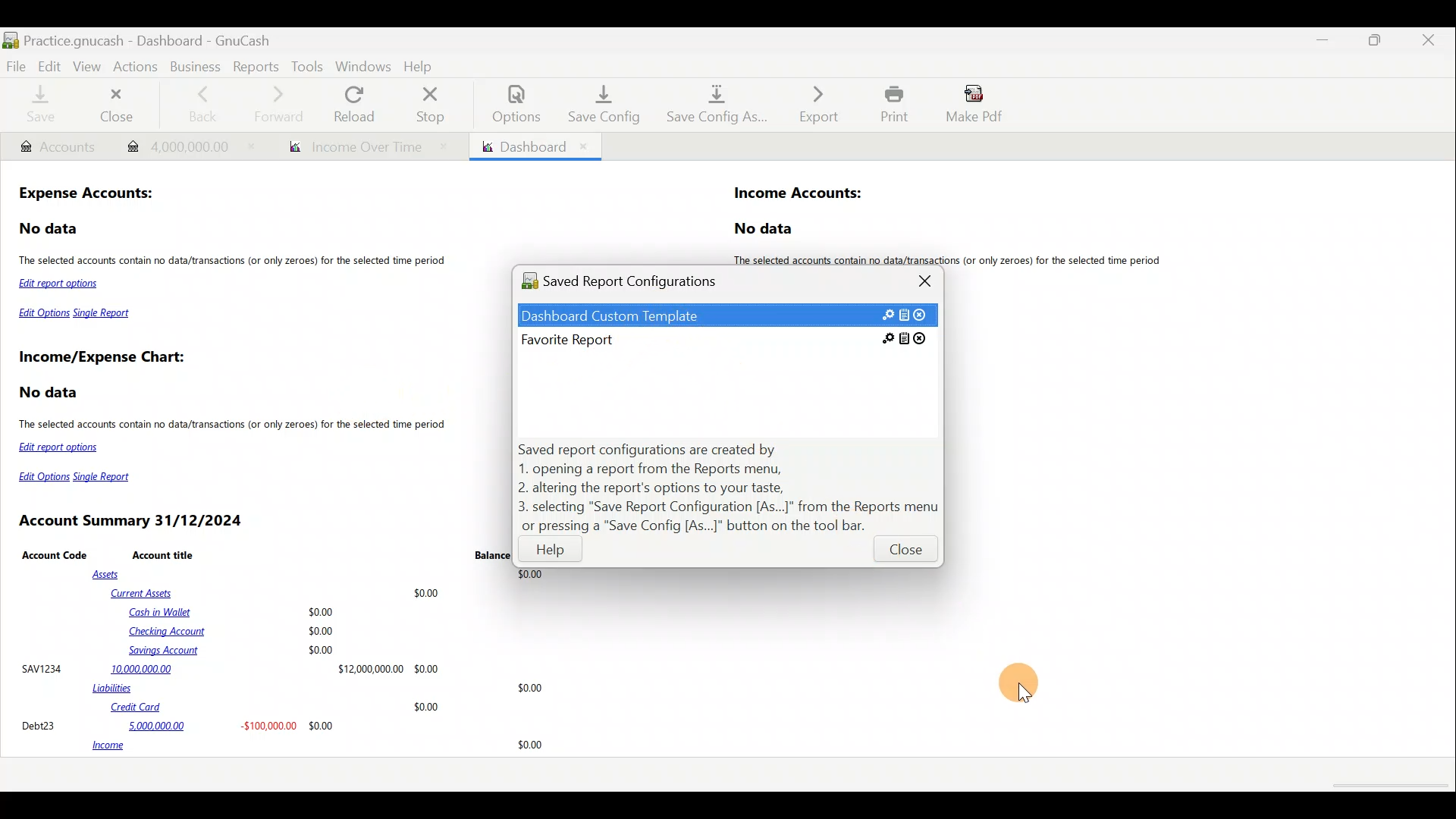 The width and height of the screenshot is (1456, 819). What do you see at coordinates (509, 104) in the screenshot?
I see `Options` at bounding box center [509, 104].